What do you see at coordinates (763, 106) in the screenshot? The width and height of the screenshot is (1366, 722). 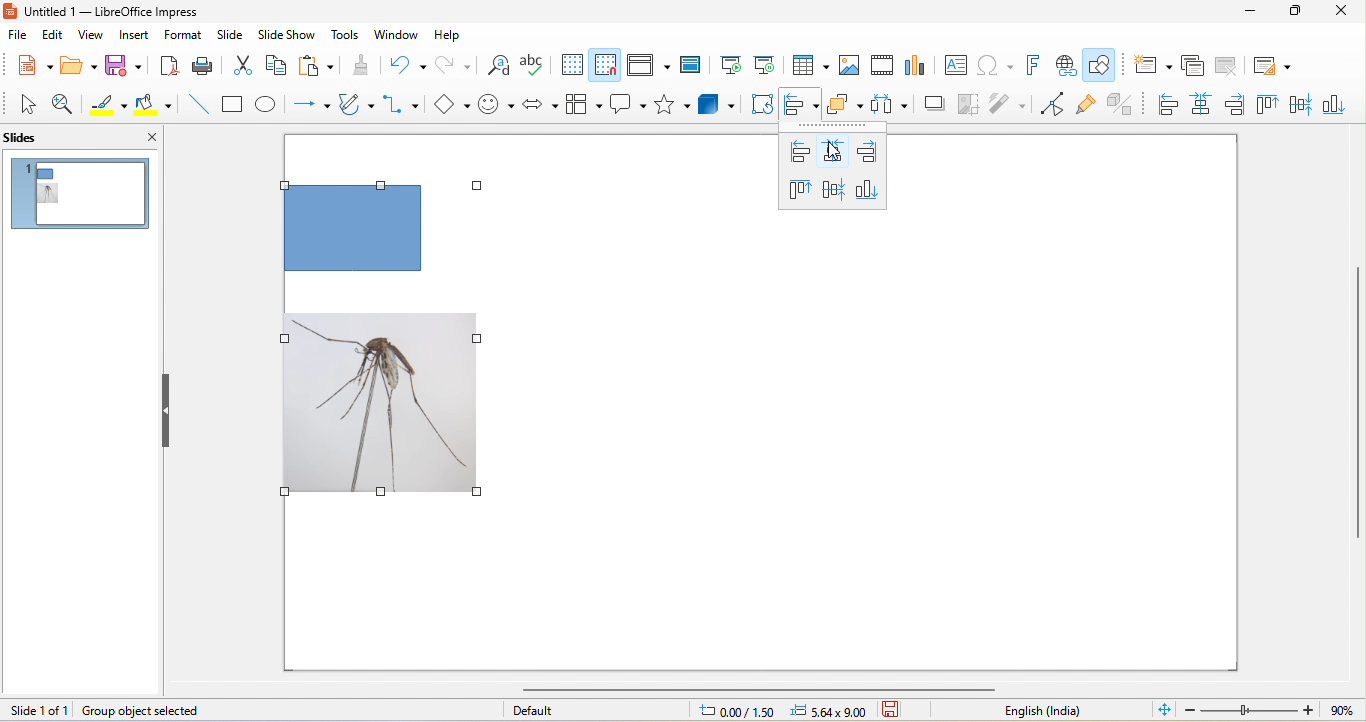 I see `rotate` at bounding box center [763, 106].